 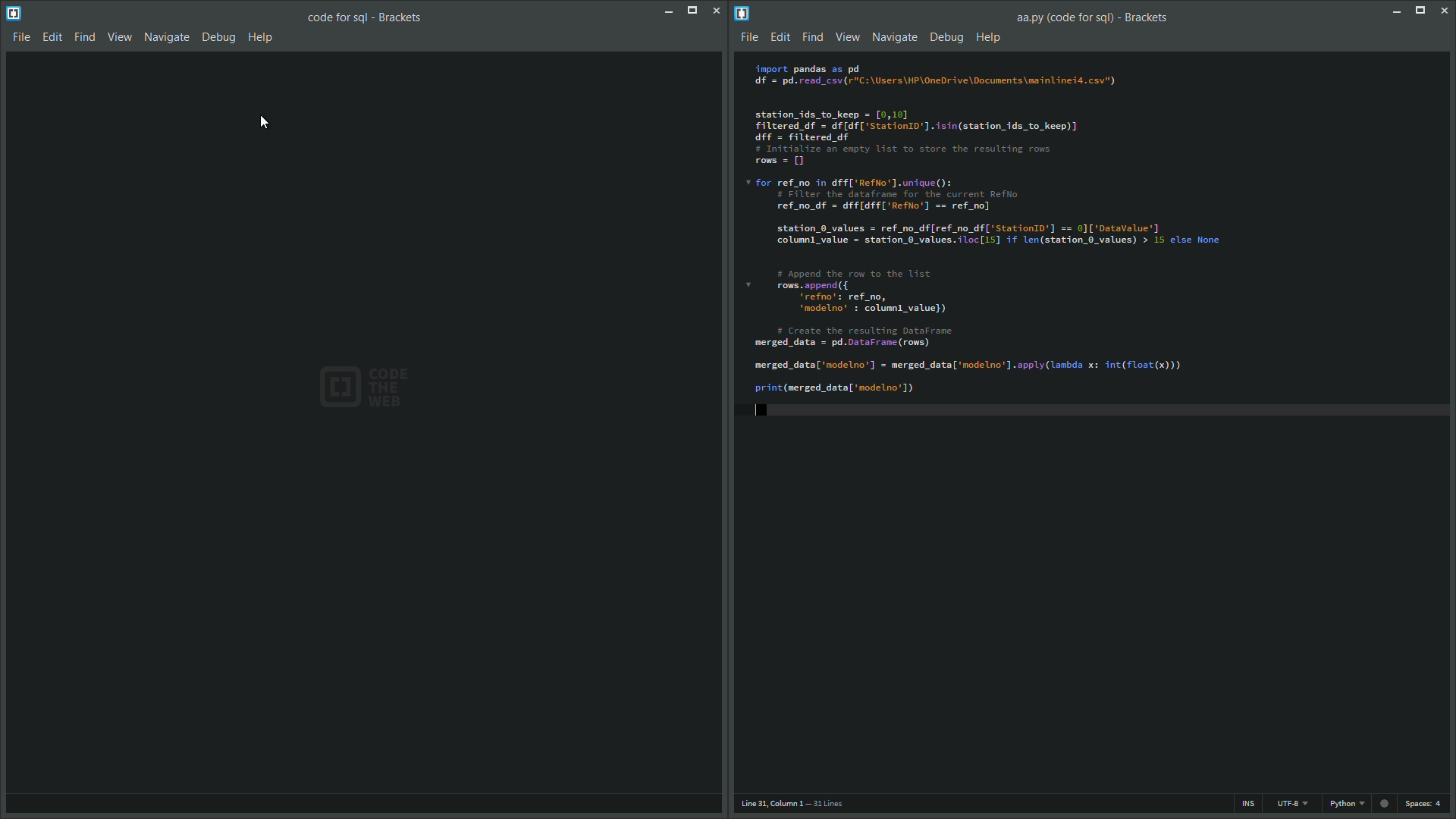 What do you see at coordinates (895, 37) in the screenshot?
I see `Navigate` at bounding box center [895, 37].